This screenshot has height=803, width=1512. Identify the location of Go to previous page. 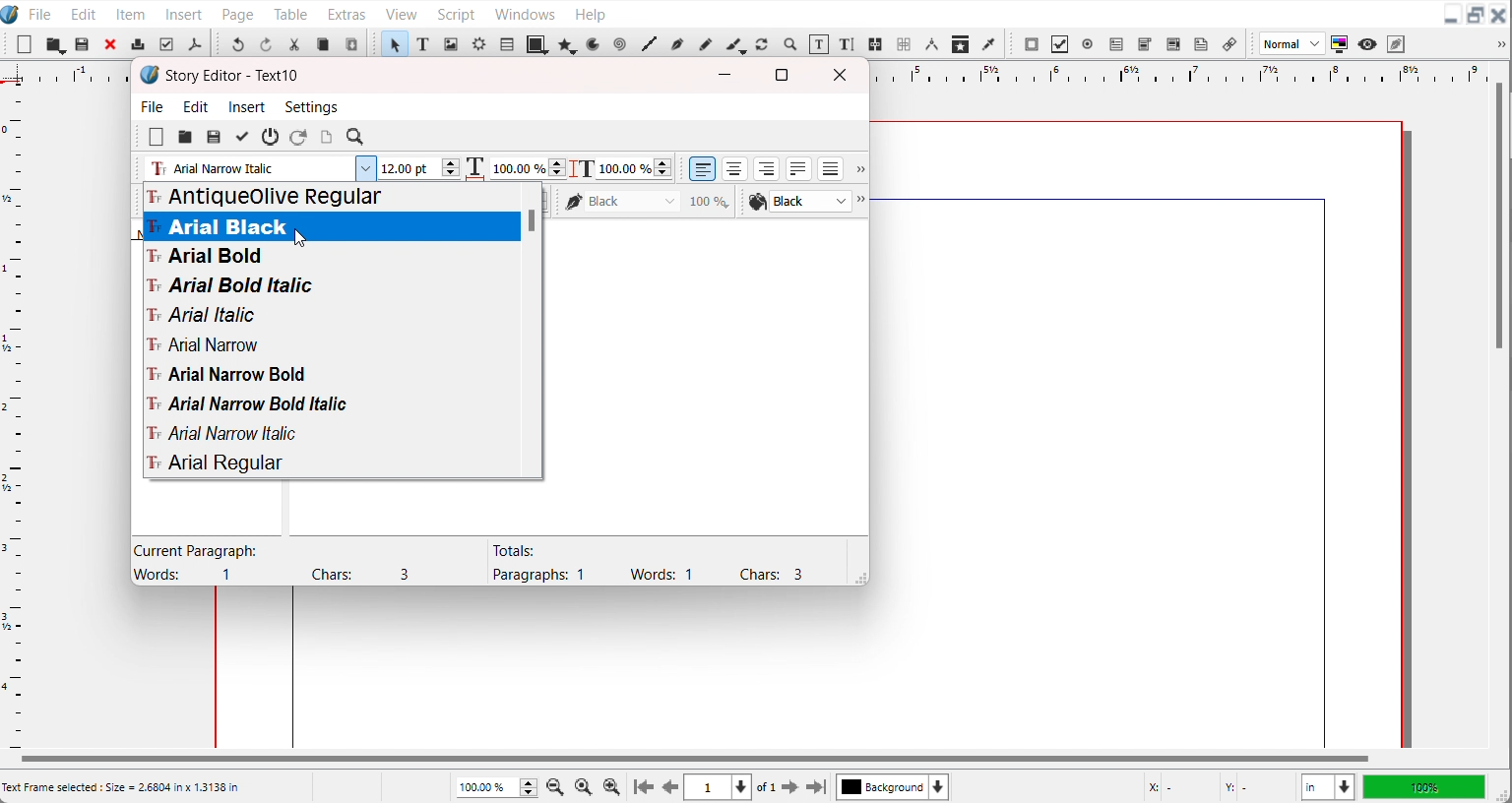
(670, 787).